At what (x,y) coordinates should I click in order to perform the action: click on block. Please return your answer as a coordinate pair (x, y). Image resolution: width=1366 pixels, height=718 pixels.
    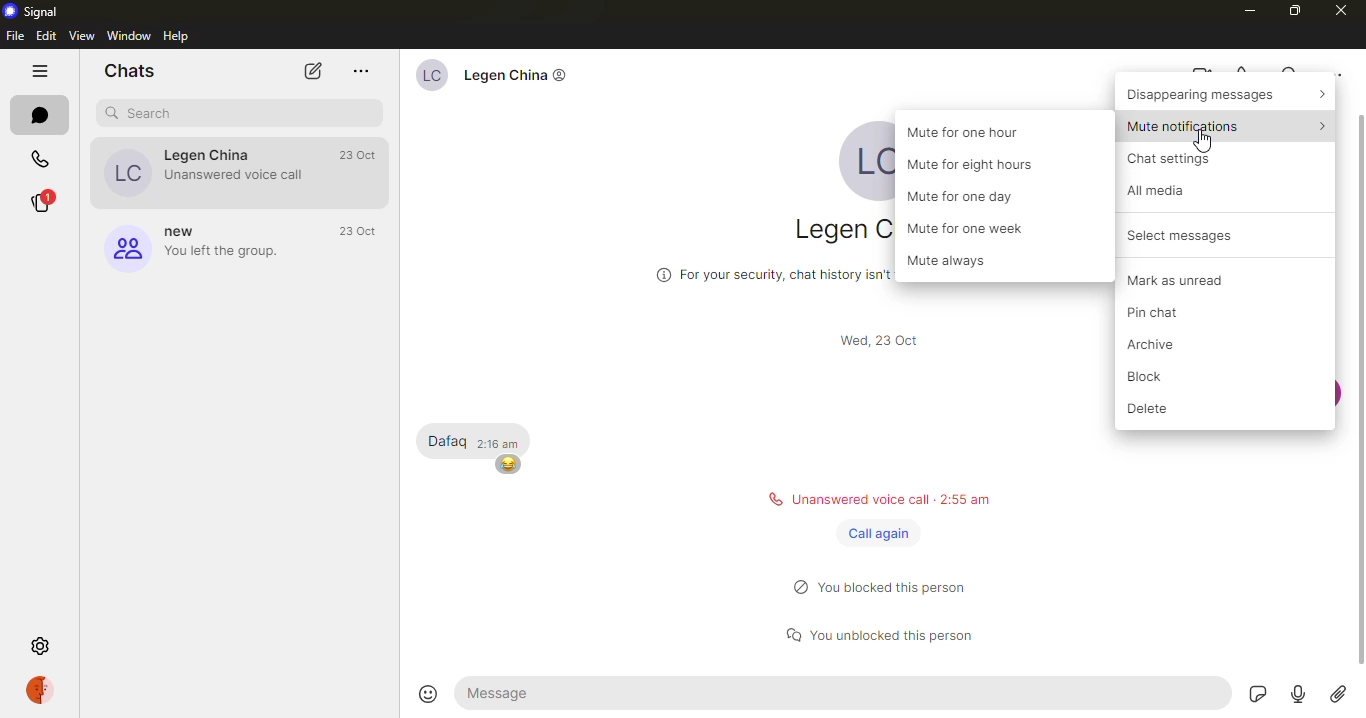
    Looking at the image, I should click on (1138, 377).